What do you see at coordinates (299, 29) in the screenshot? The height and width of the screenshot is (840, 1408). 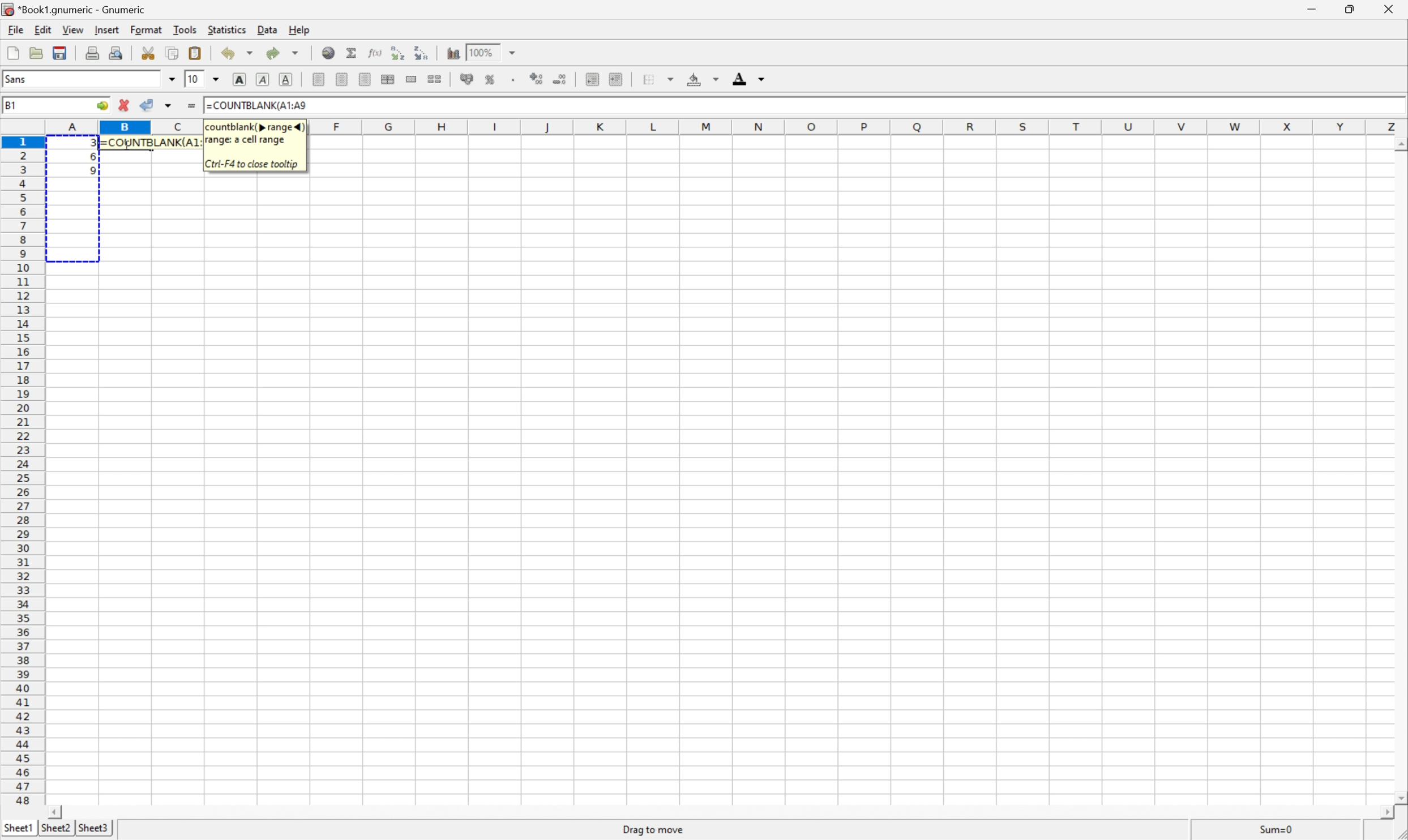 I see `Help` at bounding box center [299, 29].